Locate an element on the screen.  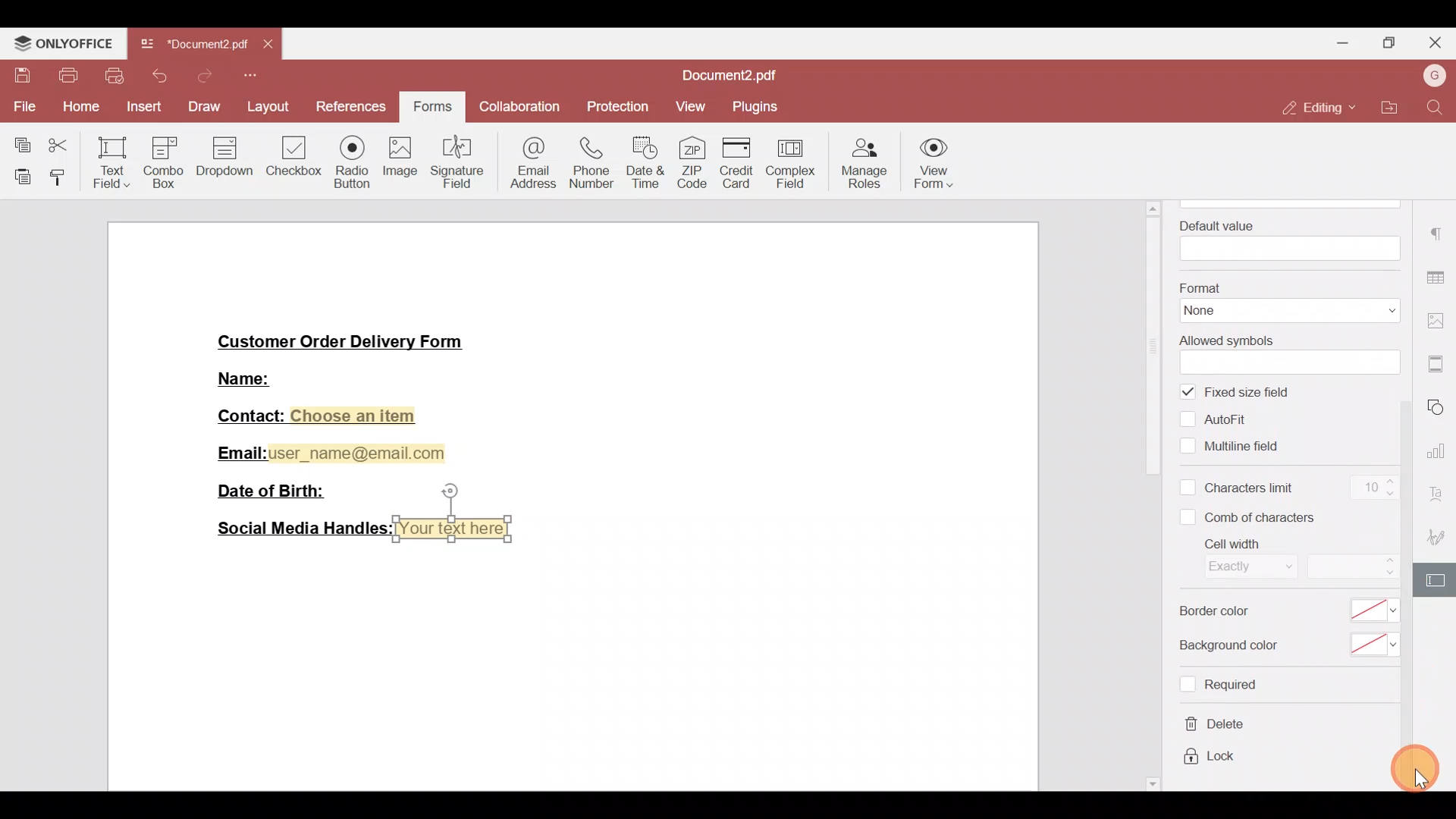
Document2.pdf is located at coordinates (736, 76).